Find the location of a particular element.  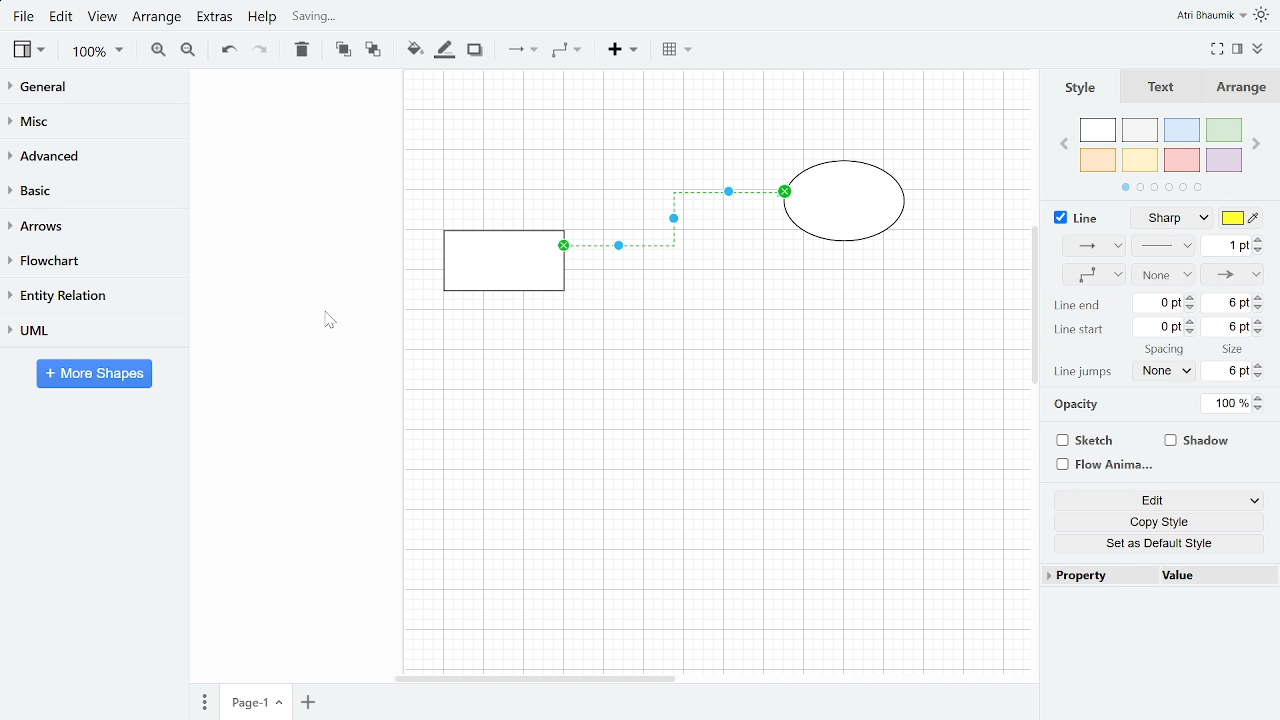

Text is located at coordinates (1164, 88).